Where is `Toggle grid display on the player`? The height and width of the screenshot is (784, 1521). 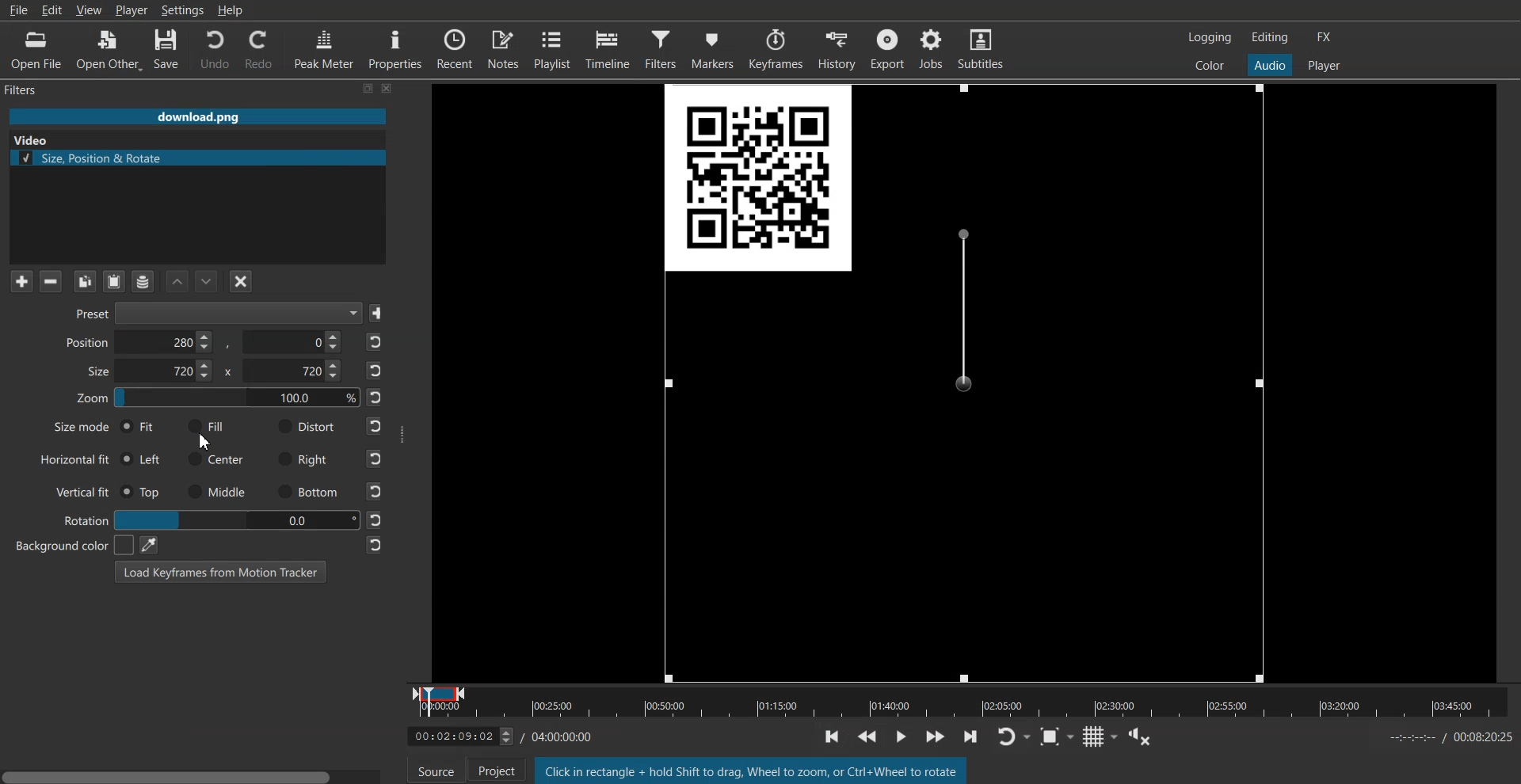 Toggle grid display on the player is located at coordinates (1096, 740).